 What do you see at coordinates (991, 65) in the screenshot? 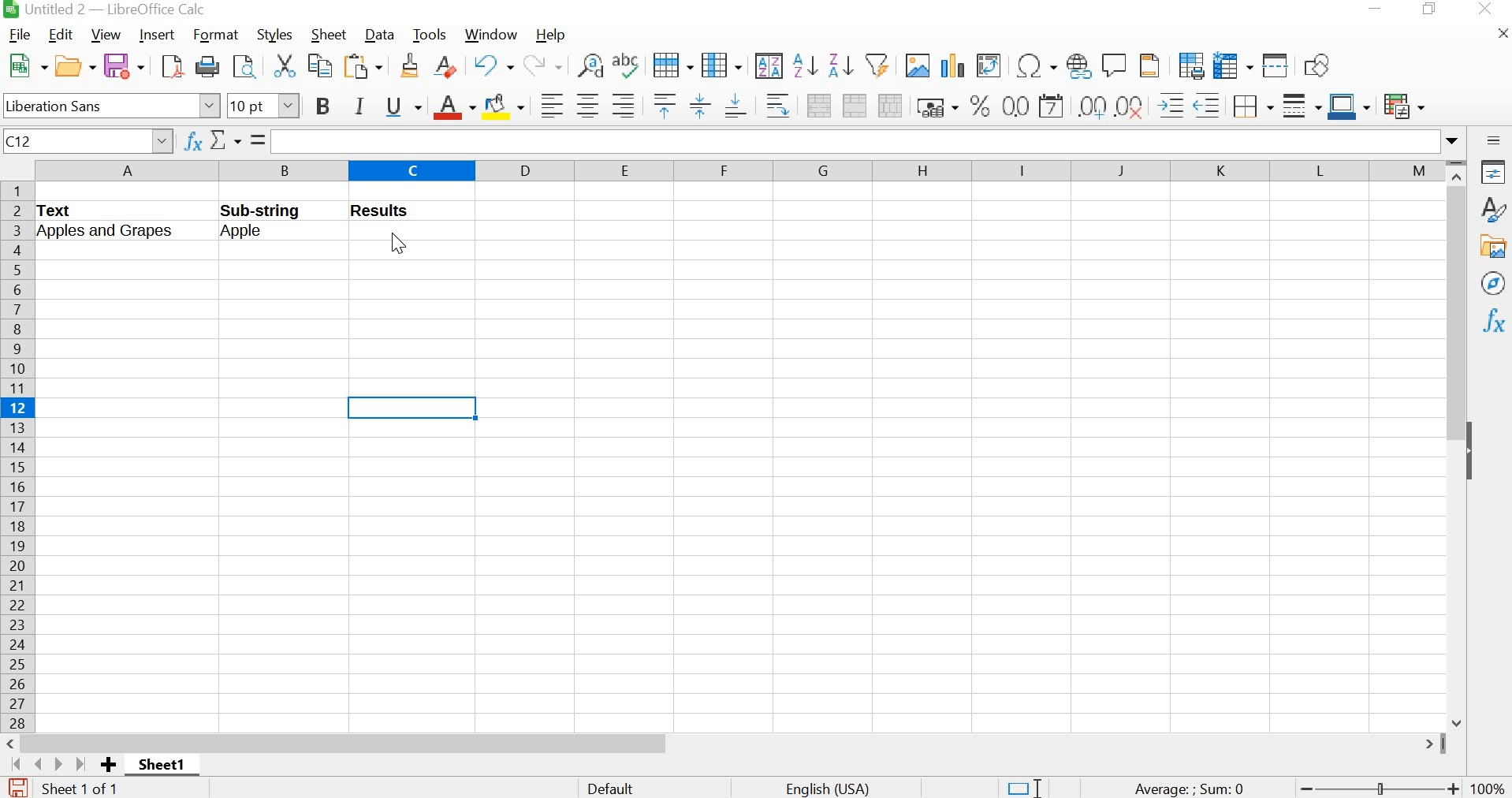
I see `insert or edit pivot table` at bounding box center [991, 65].